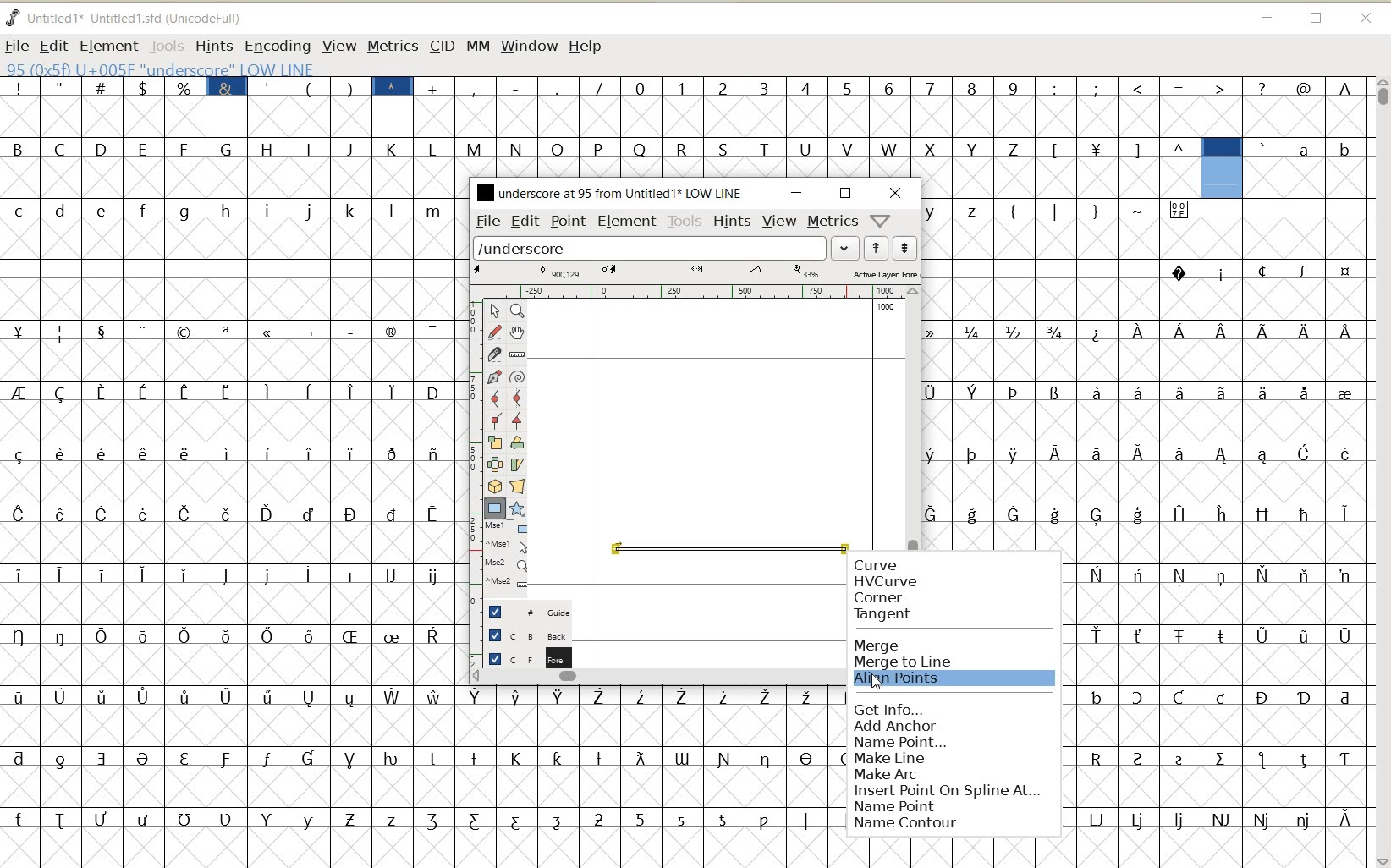 The width and height of the screenshot is (1391, 868). What do you see at coordinates (264, 68) in the screenshot?
I see `GLYPHY INFO` at bounding box center [264, 68].